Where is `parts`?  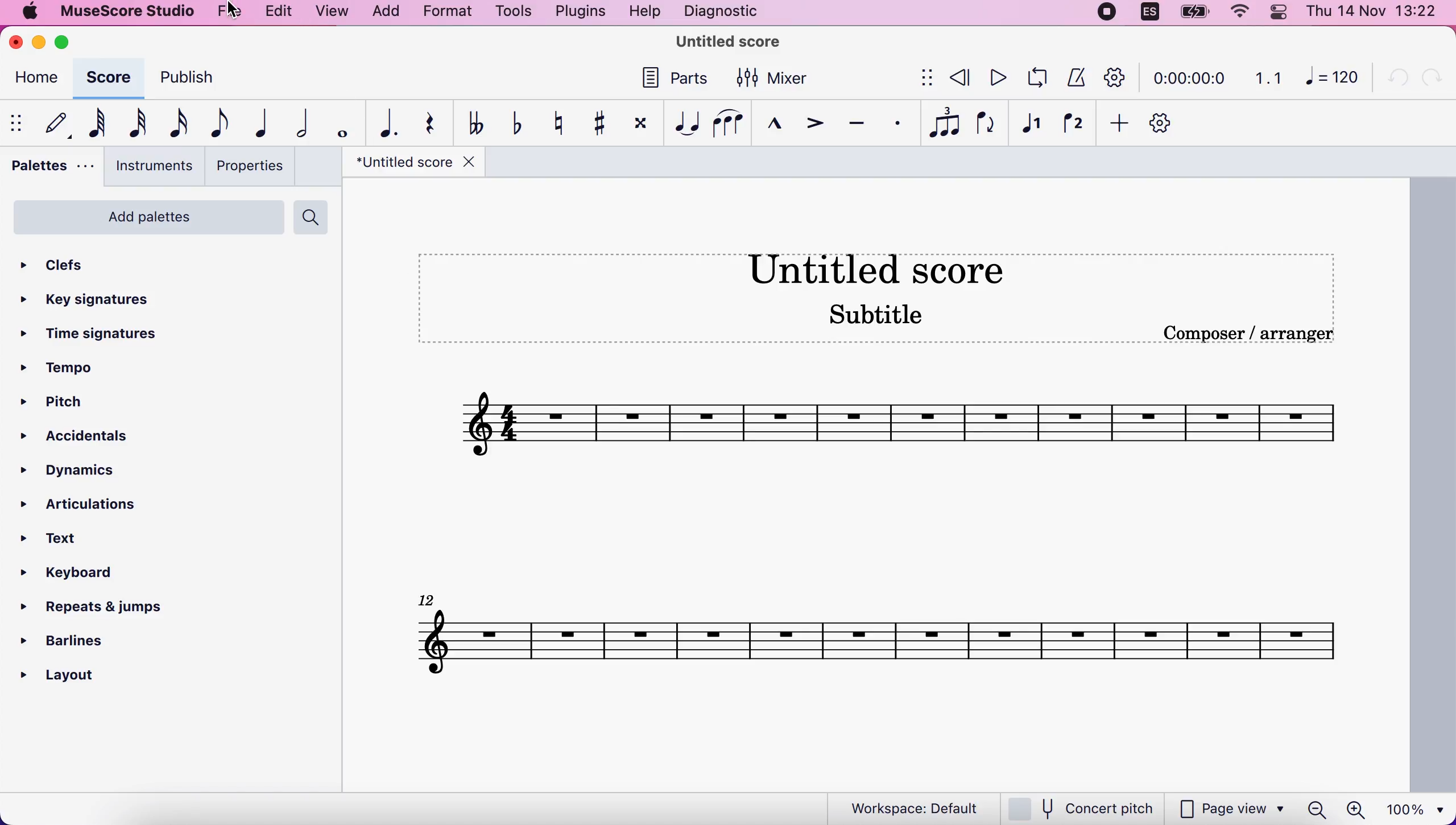 parts is located at coordinates (677, 81).